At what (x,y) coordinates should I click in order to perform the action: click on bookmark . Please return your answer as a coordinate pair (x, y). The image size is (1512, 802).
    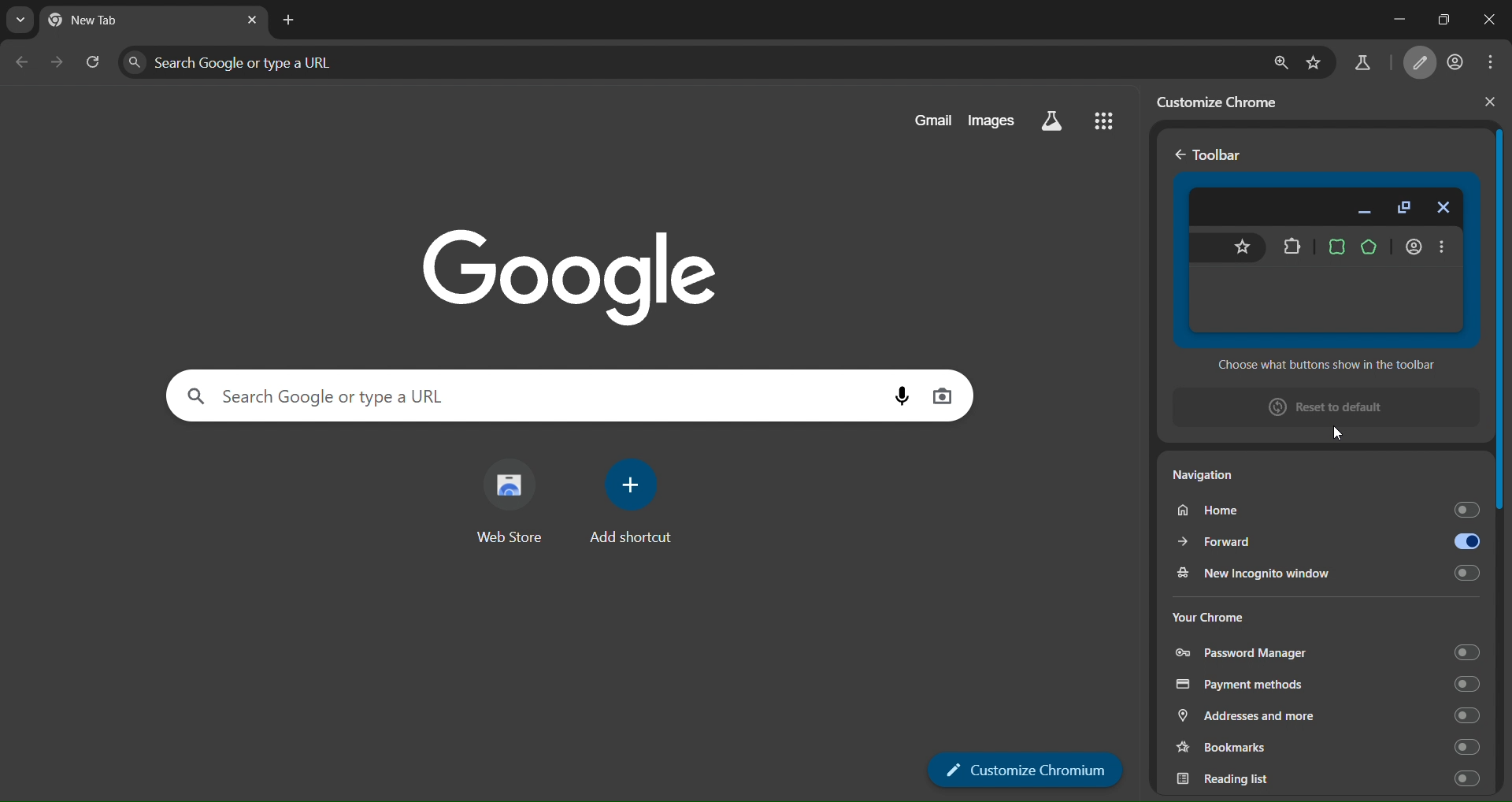
    Looking at the image, I should click on (1314, 64).